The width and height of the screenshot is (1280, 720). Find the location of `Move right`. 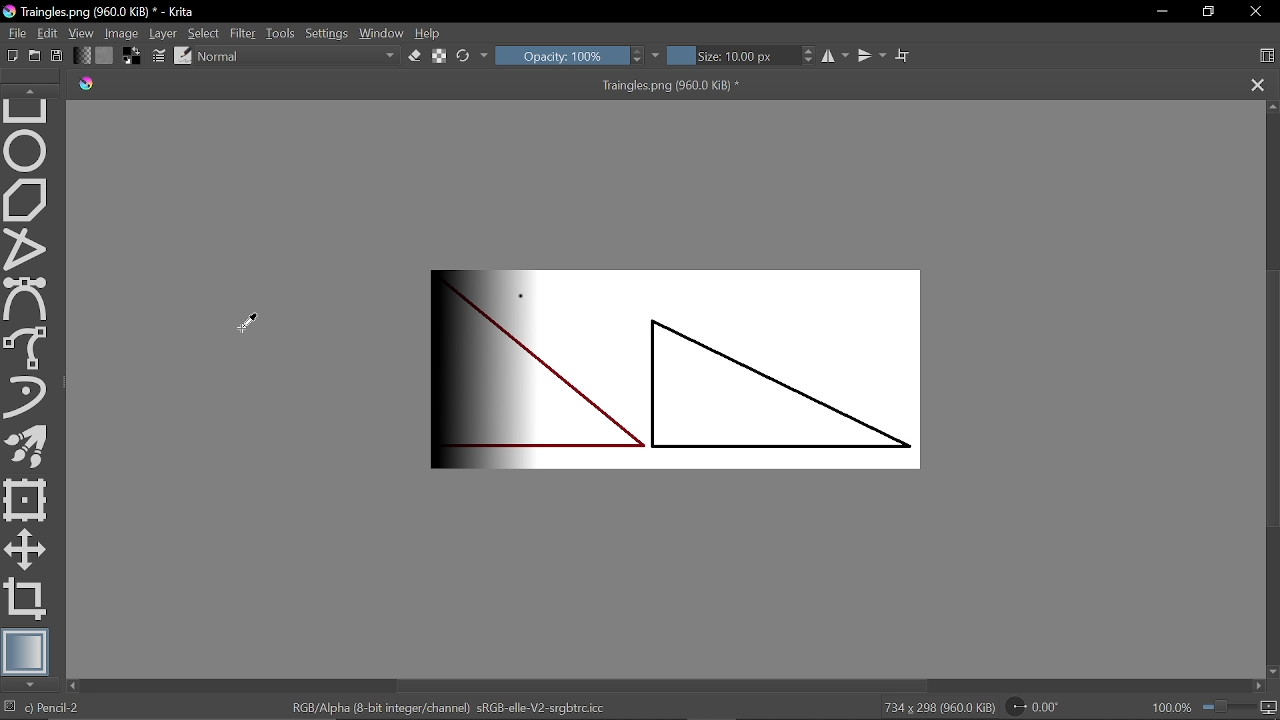

Move right is located at coordinates (1259, 685).